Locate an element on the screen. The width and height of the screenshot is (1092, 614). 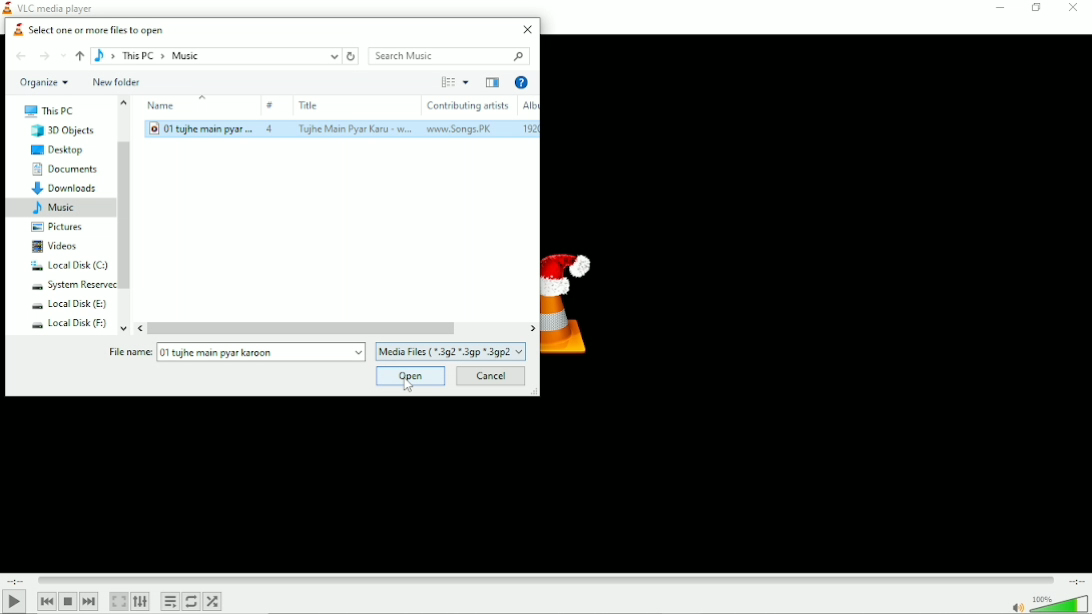
# is located at coordinates (271, 105).